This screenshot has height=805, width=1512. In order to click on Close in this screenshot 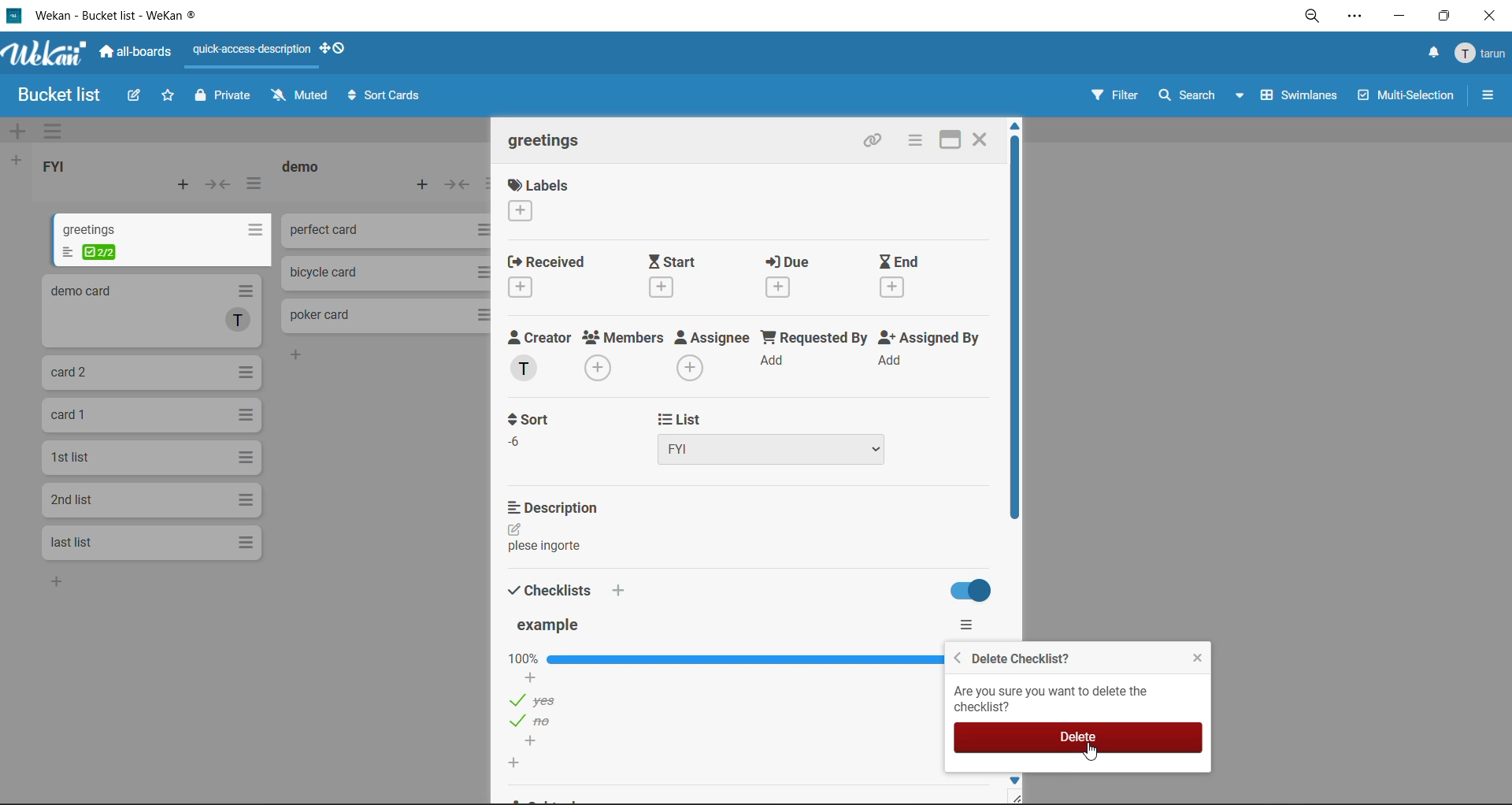, I will do `click(985, 139)`.